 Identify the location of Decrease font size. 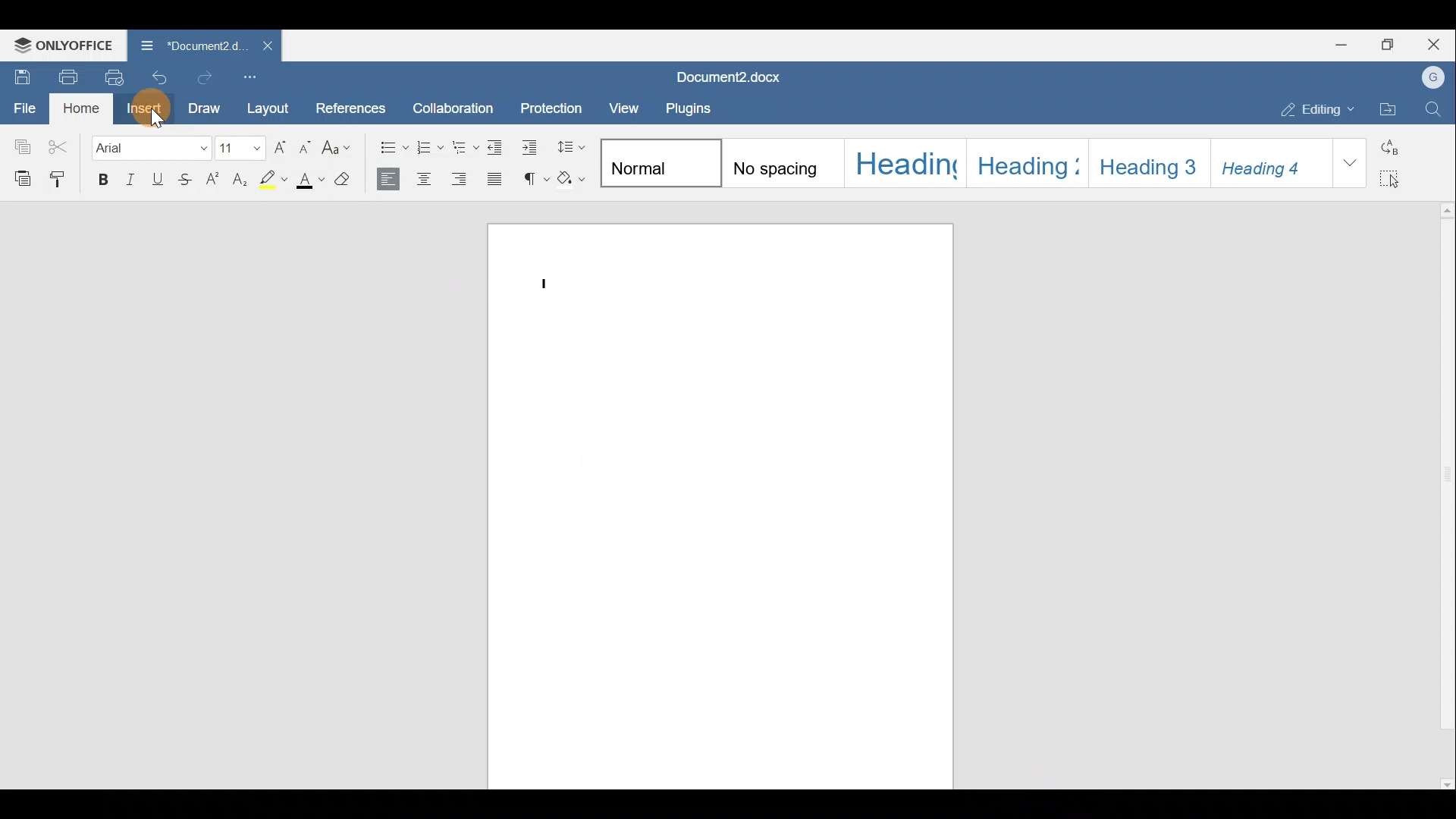
(301, 145).